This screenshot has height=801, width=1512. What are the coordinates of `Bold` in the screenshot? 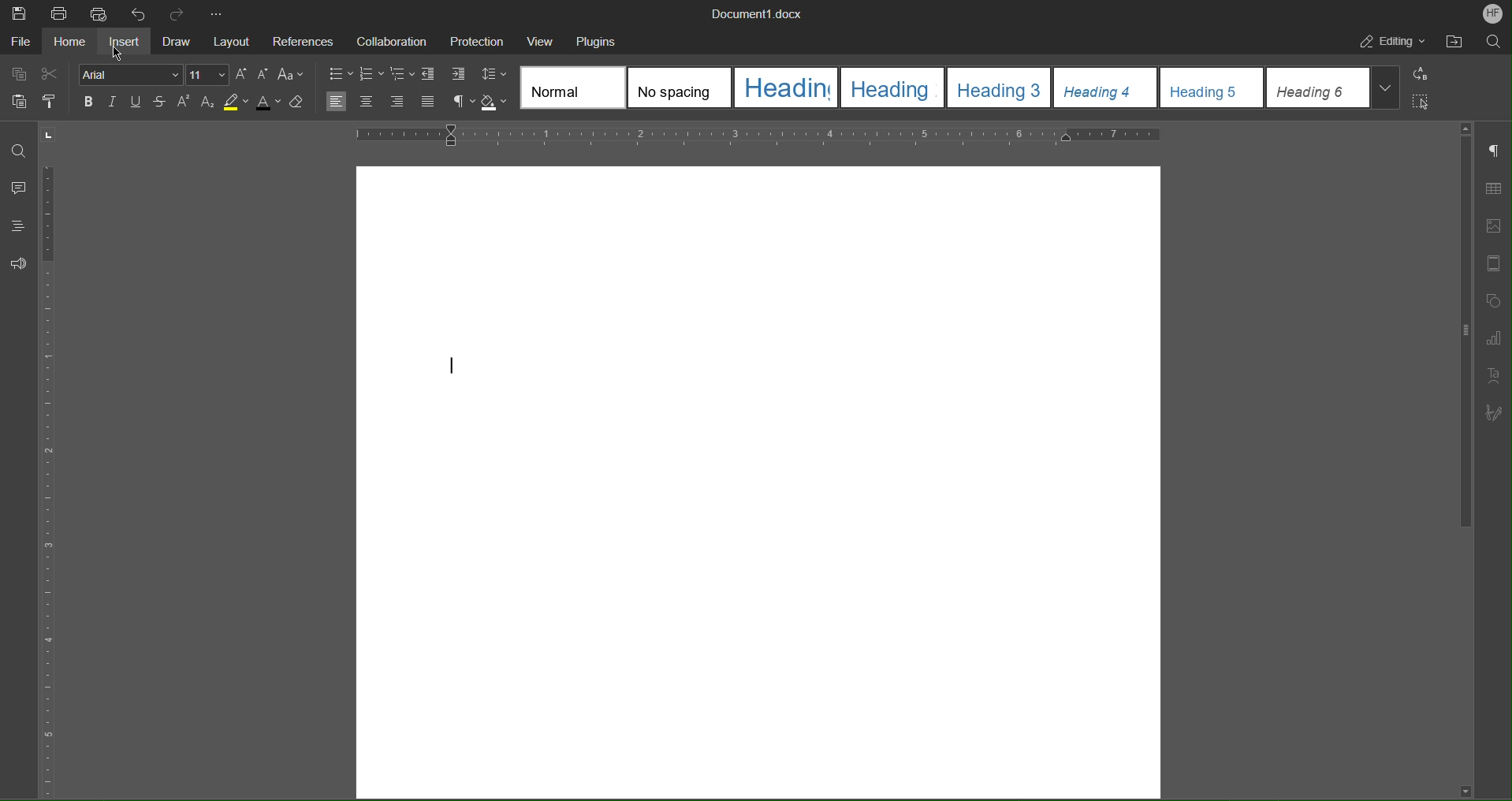 It's located at (91, 102).